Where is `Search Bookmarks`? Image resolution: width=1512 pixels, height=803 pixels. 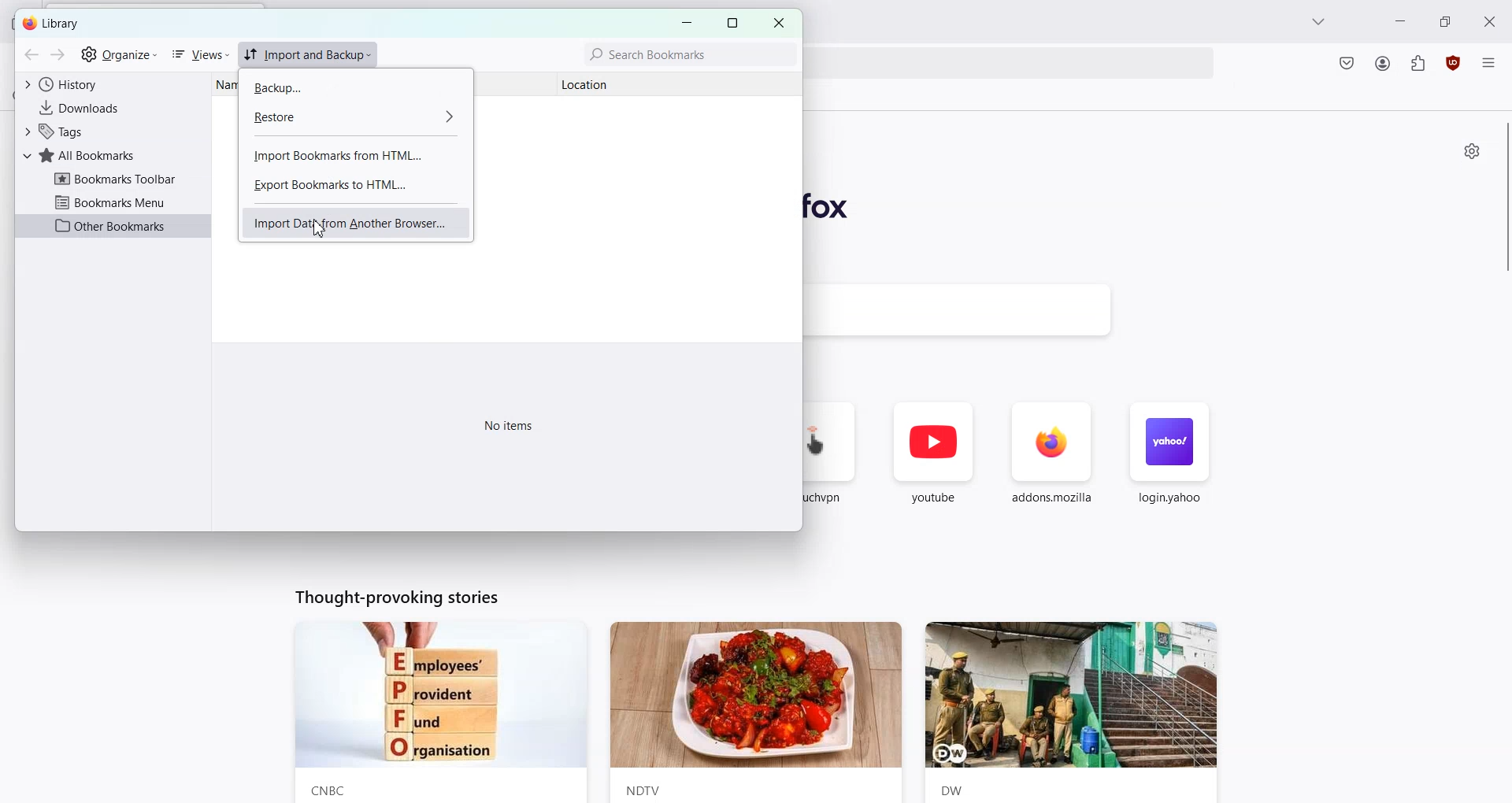
Search Bookmarks is located at coordinates (688, 54).